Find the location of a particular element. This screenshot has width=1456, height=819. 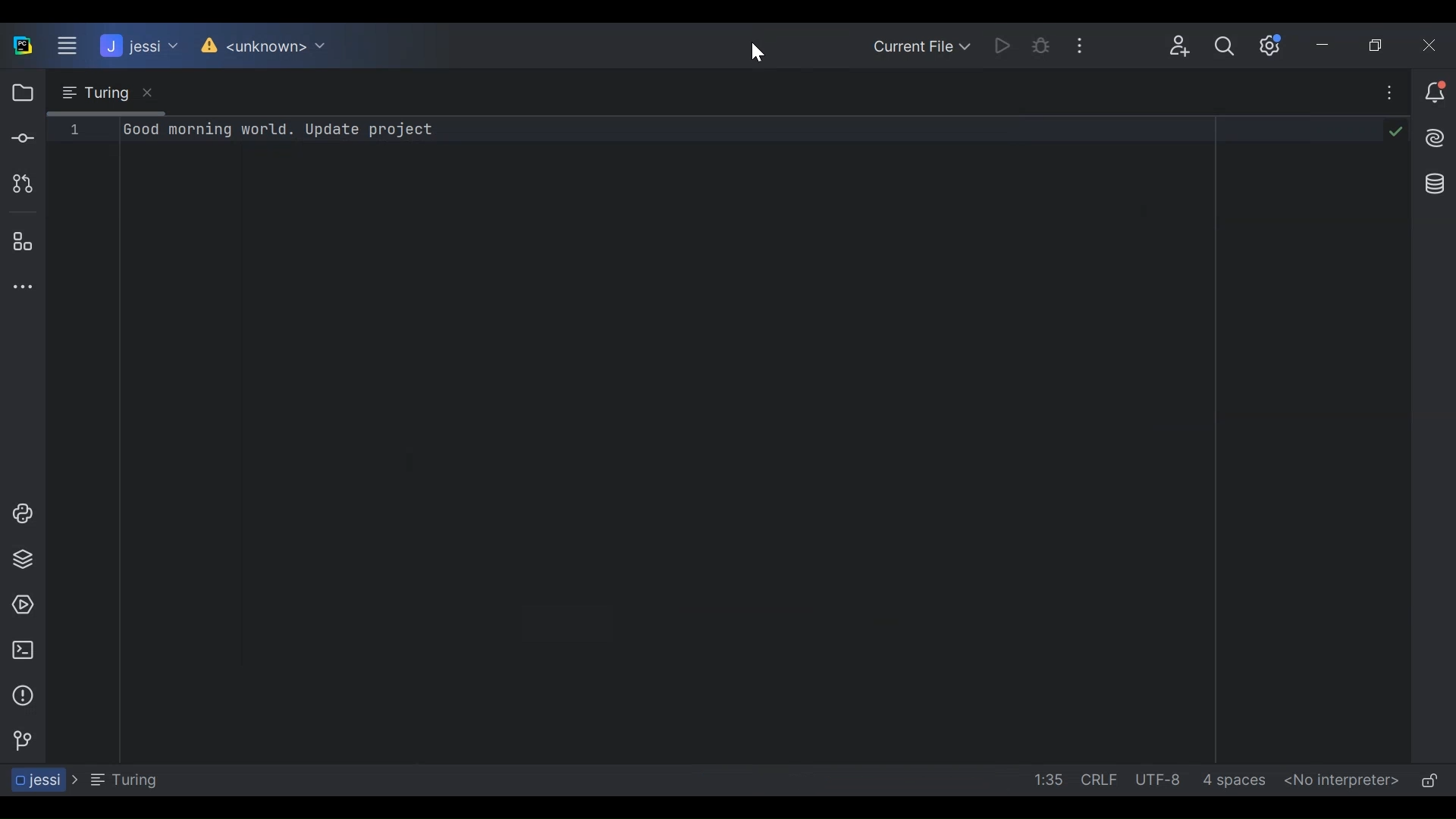

Commit is located at coordinates (21, 140).